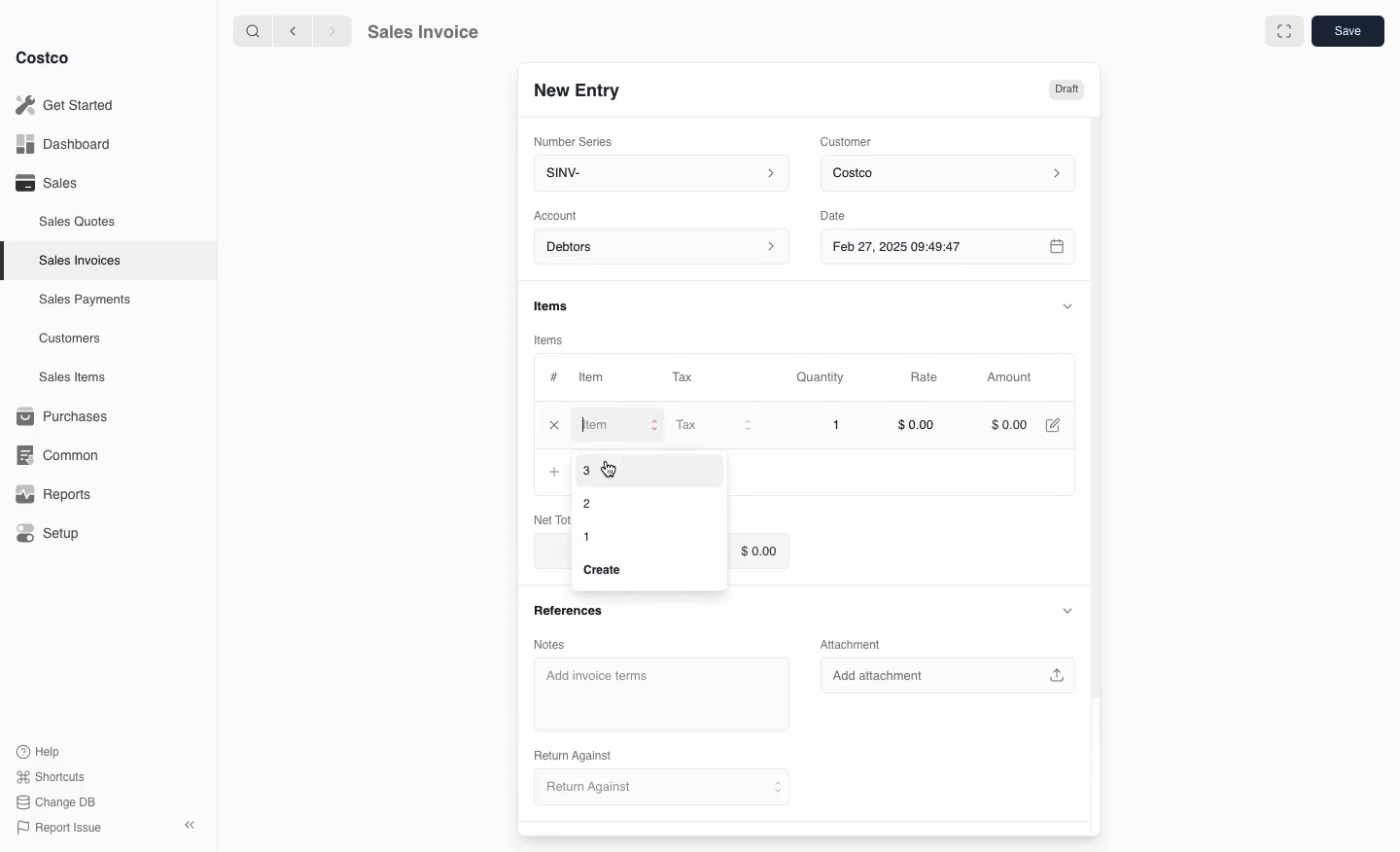 Image resolution: width=1400 pixels, height=852 pixels. Describe the element at coordinates (593, 376) in the screenshot. I see `Item` at that location.